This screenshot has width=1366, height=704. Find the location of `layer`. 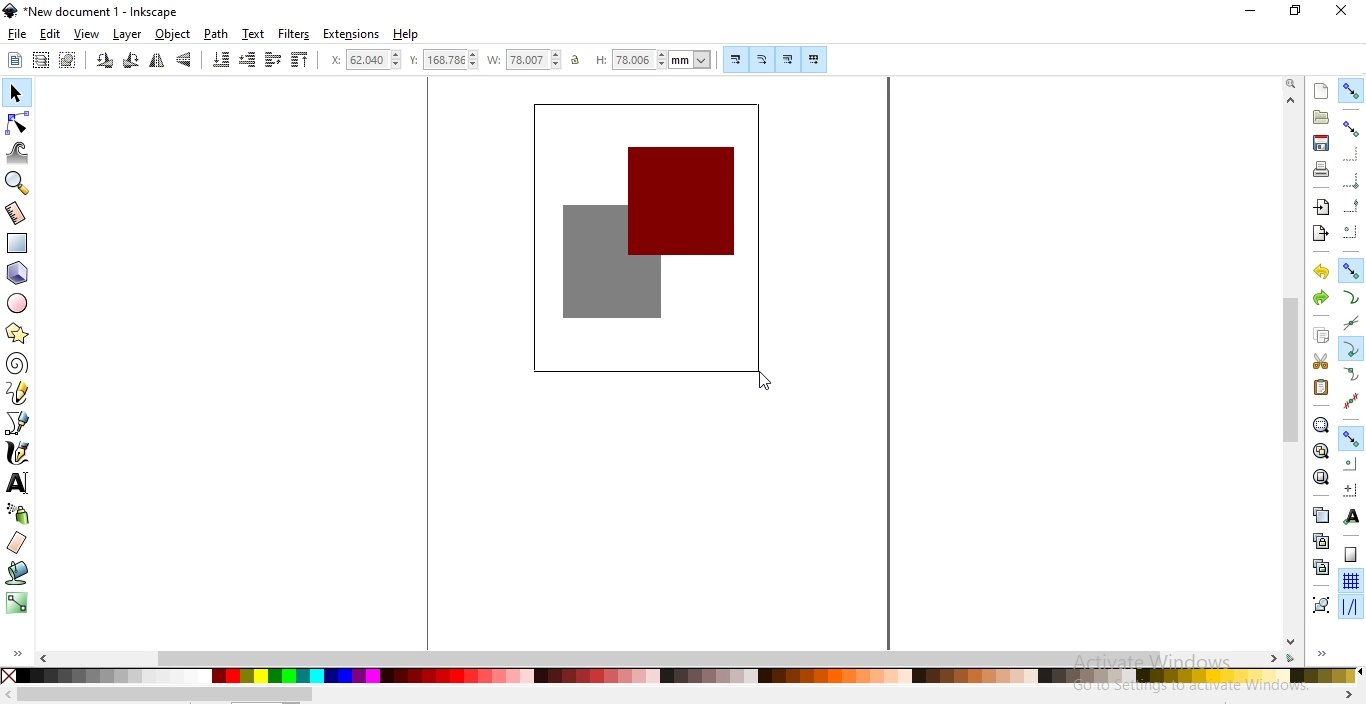

layer is located at coordinates (127, 35).